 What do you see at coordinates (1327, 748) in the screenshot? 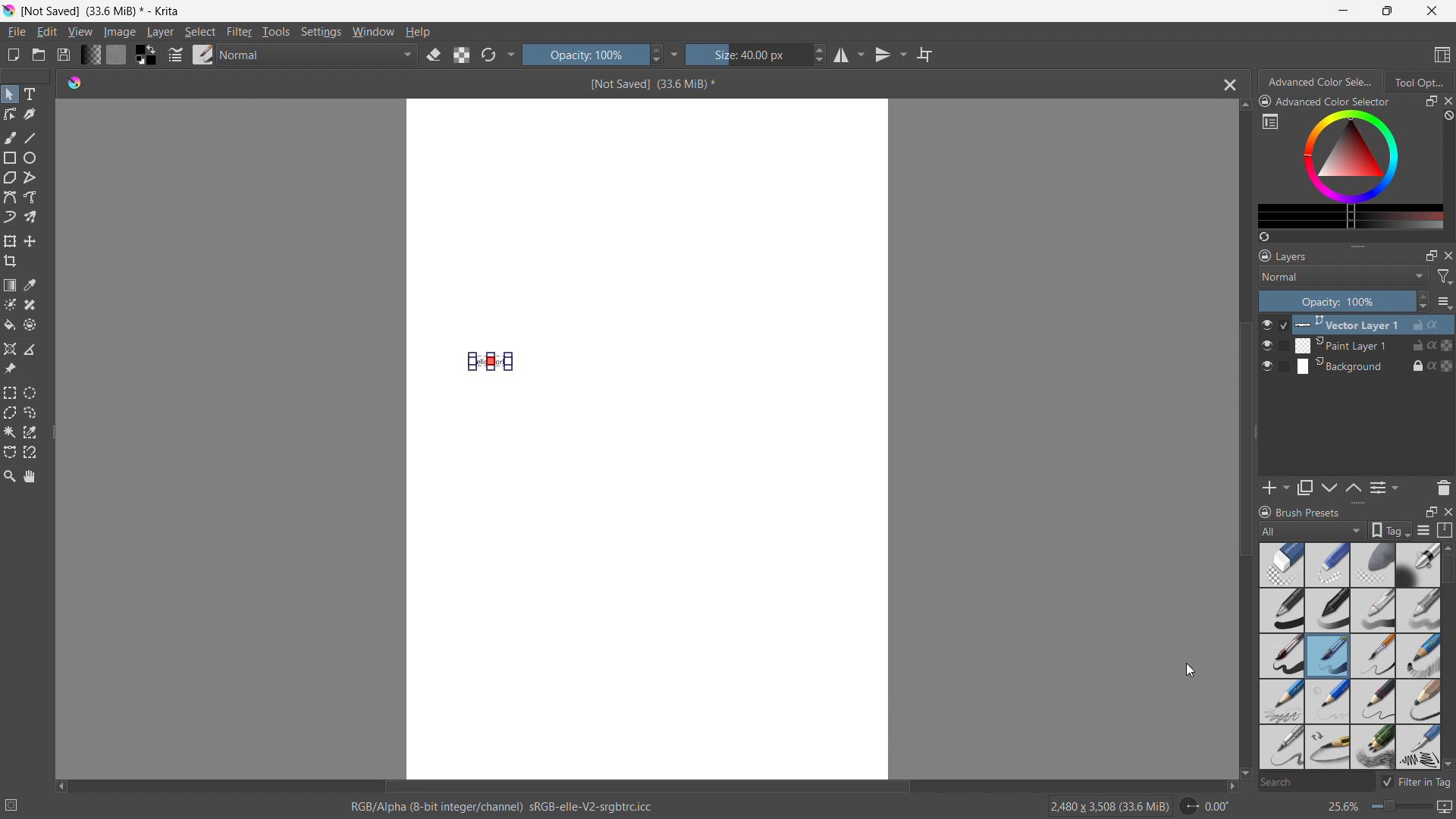
I see `small tip pencil` at bounding box center [1327, 748].